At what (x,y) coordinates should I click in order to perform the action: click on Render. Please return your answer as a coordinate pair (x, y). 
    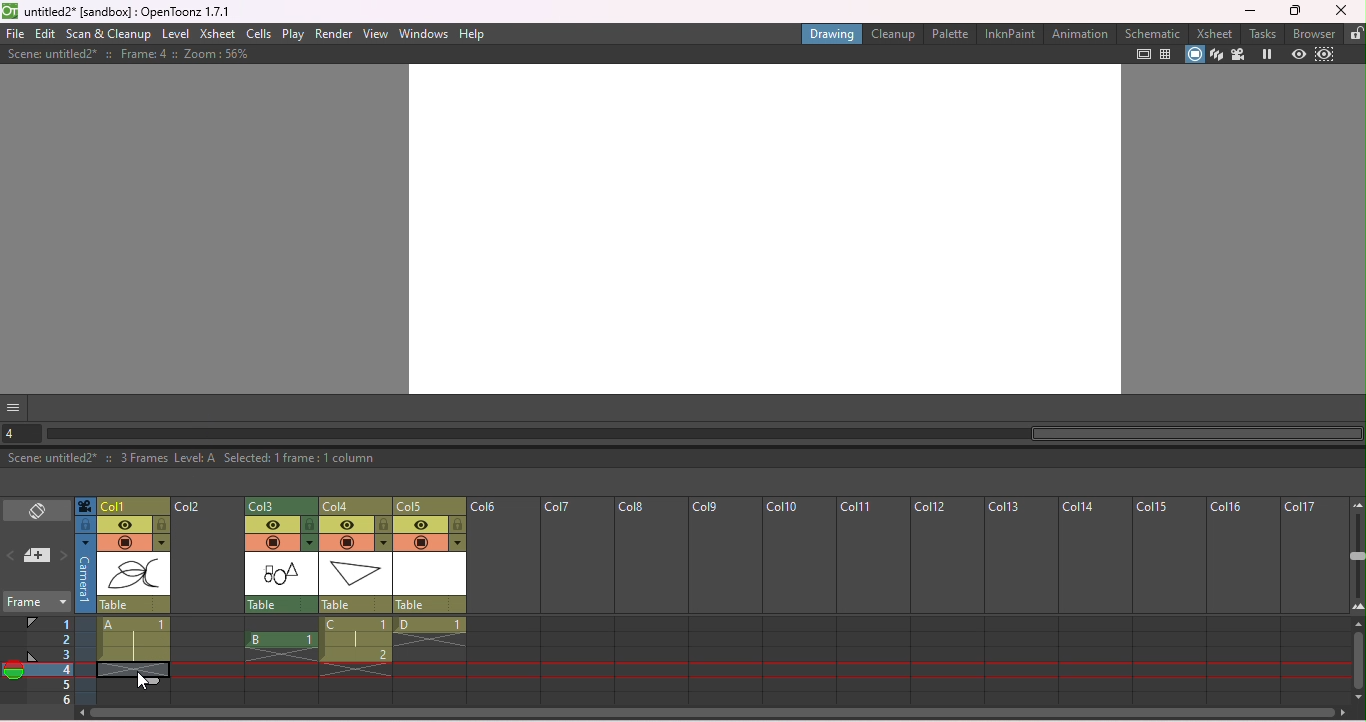
    Looking at the image, I should click on (333, 34).